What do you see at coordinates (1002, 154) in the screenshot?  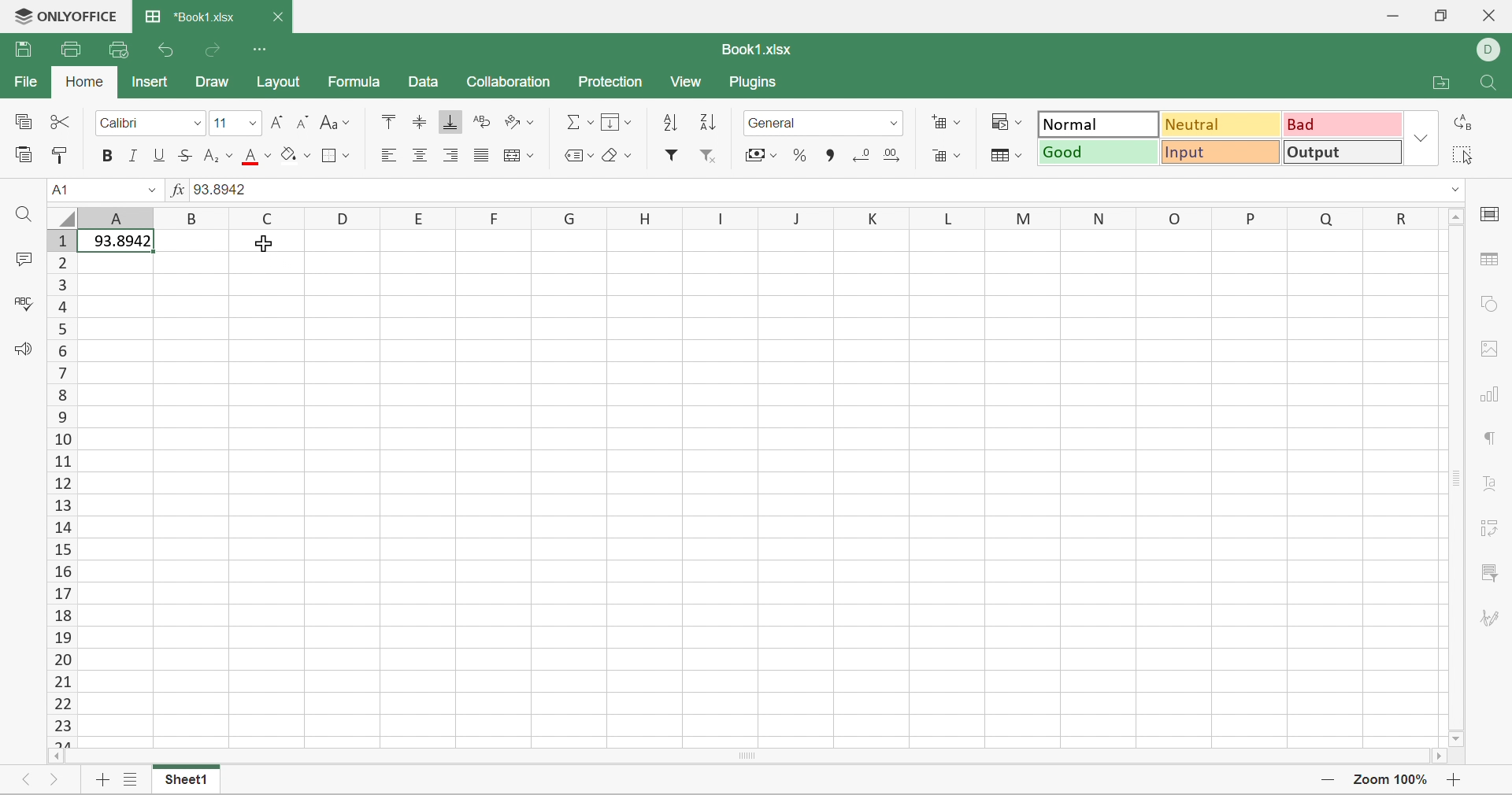 I see `Format table as template` at bounding box center [1002, 154].